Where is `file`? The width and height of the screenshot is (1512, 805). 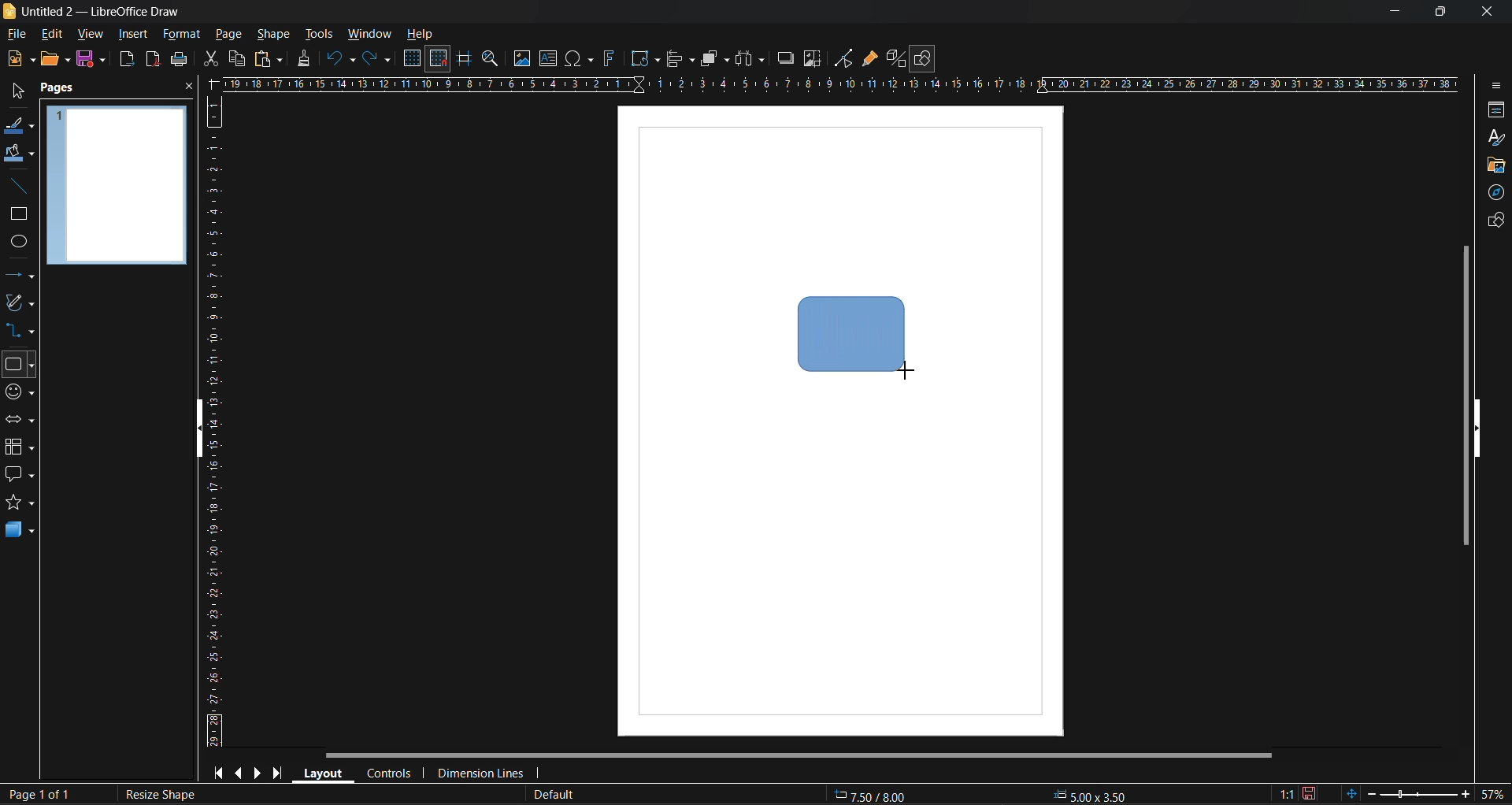
file is located at coordinates (19, 35).